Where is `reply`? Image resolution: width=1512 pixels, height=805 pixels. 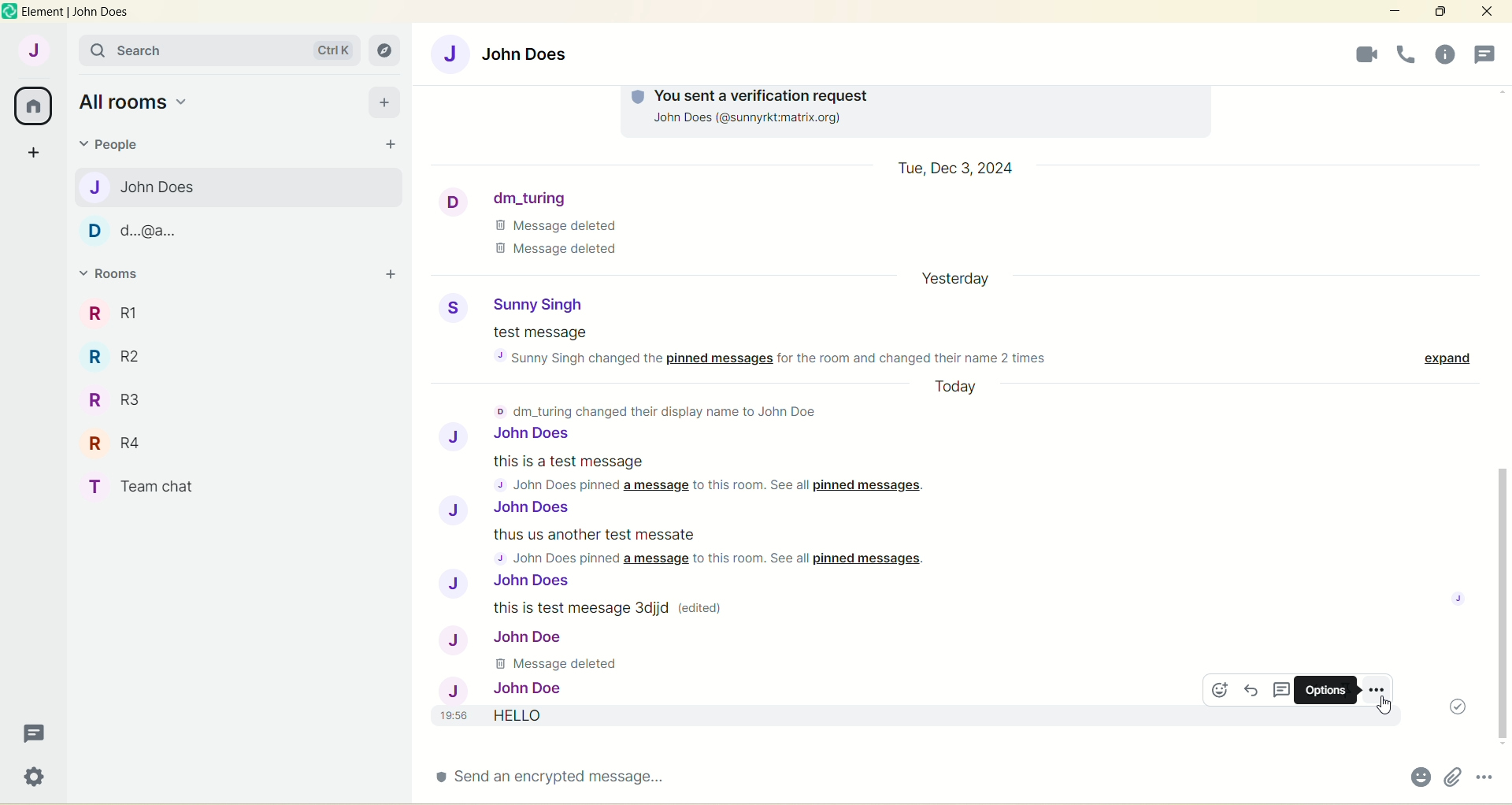 reply is located at coordinates (1253, 691).